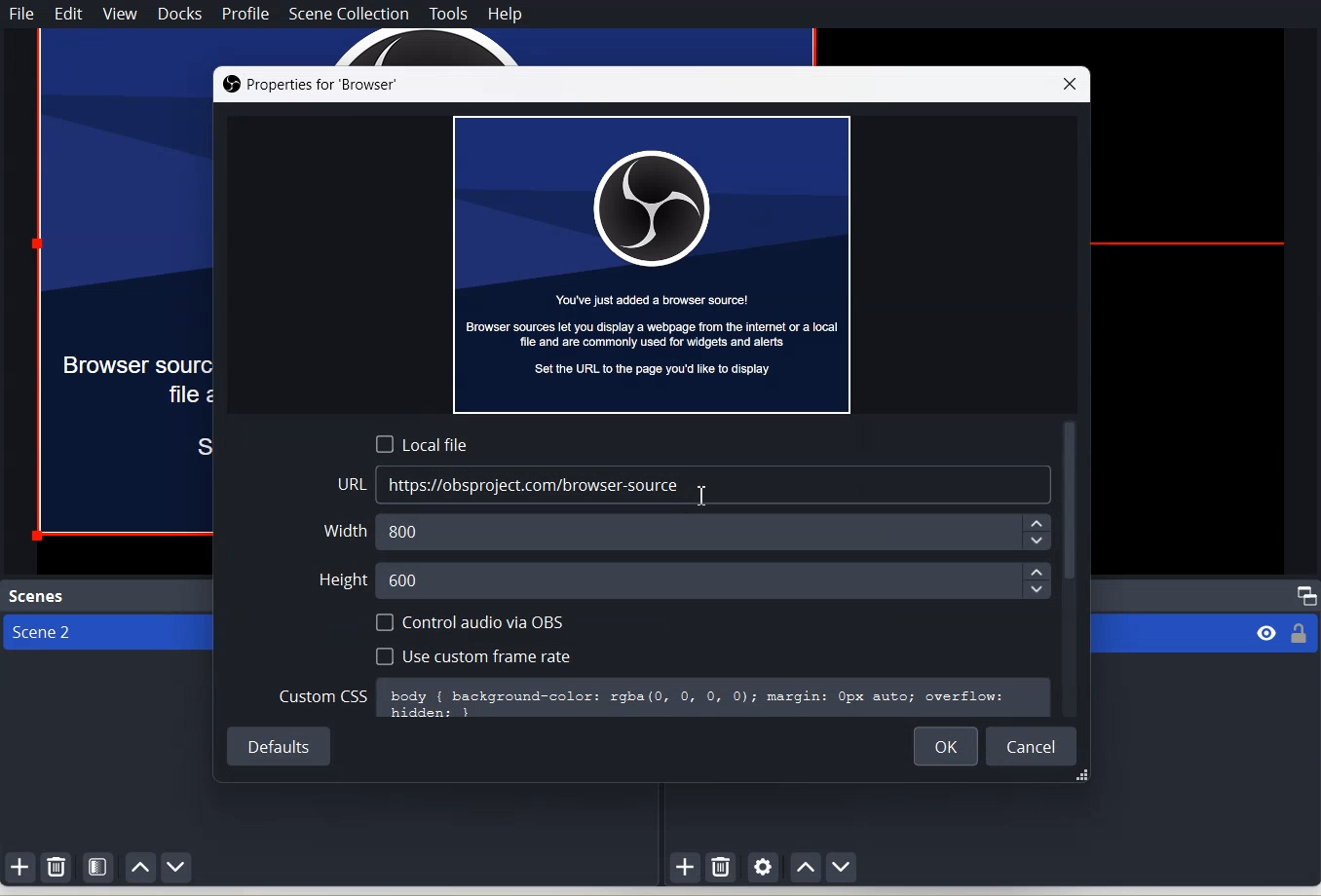  What do you see at coordinates (722, 866) in the screenshot?
I see `Remove selected Source` at bounding box center [722, 866].